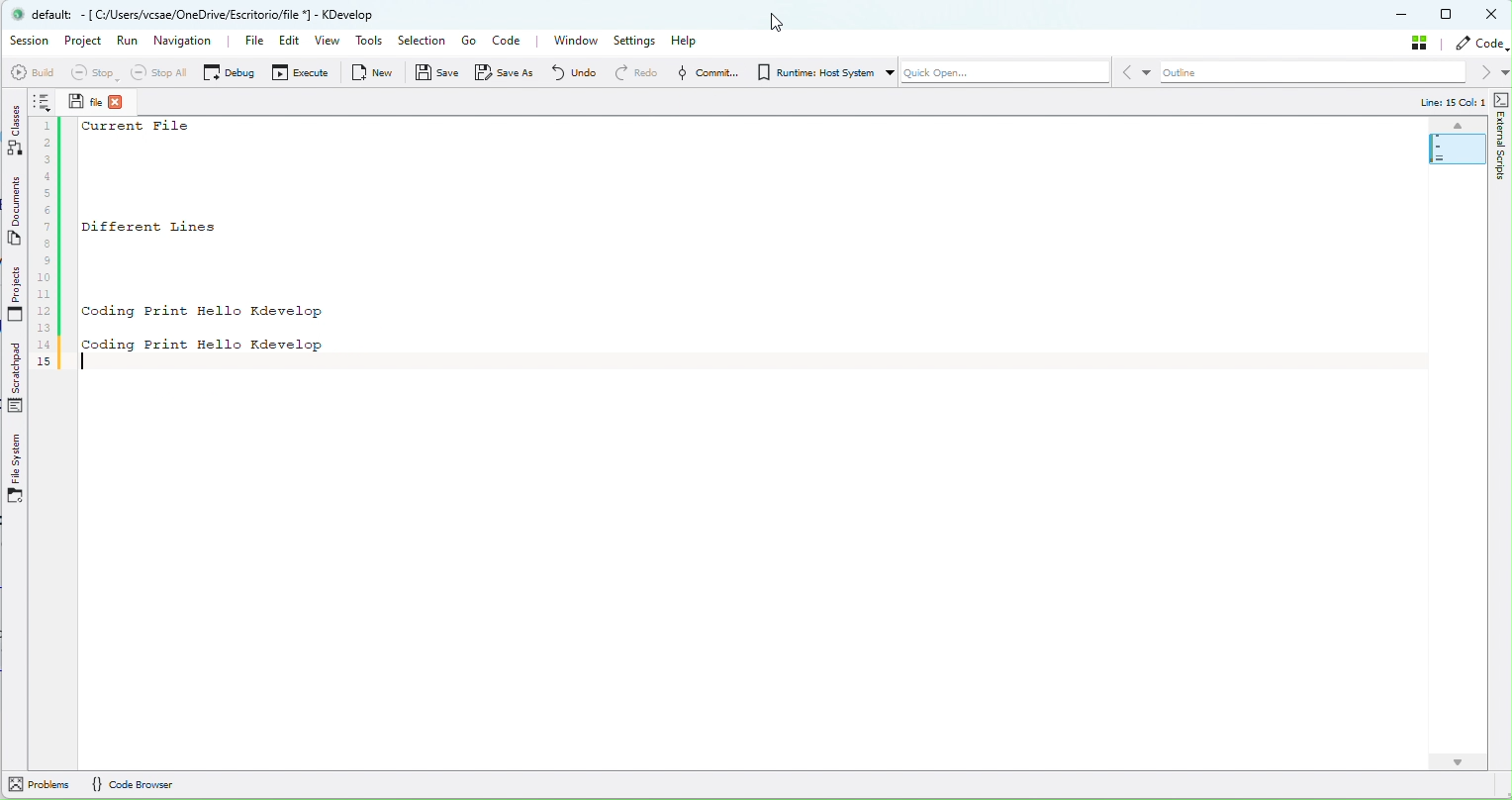 The width and height of the screenshot is (1512, 800). Describe the element at coordinates (778, 25) in the screenshot. I see `cursor` at that location.